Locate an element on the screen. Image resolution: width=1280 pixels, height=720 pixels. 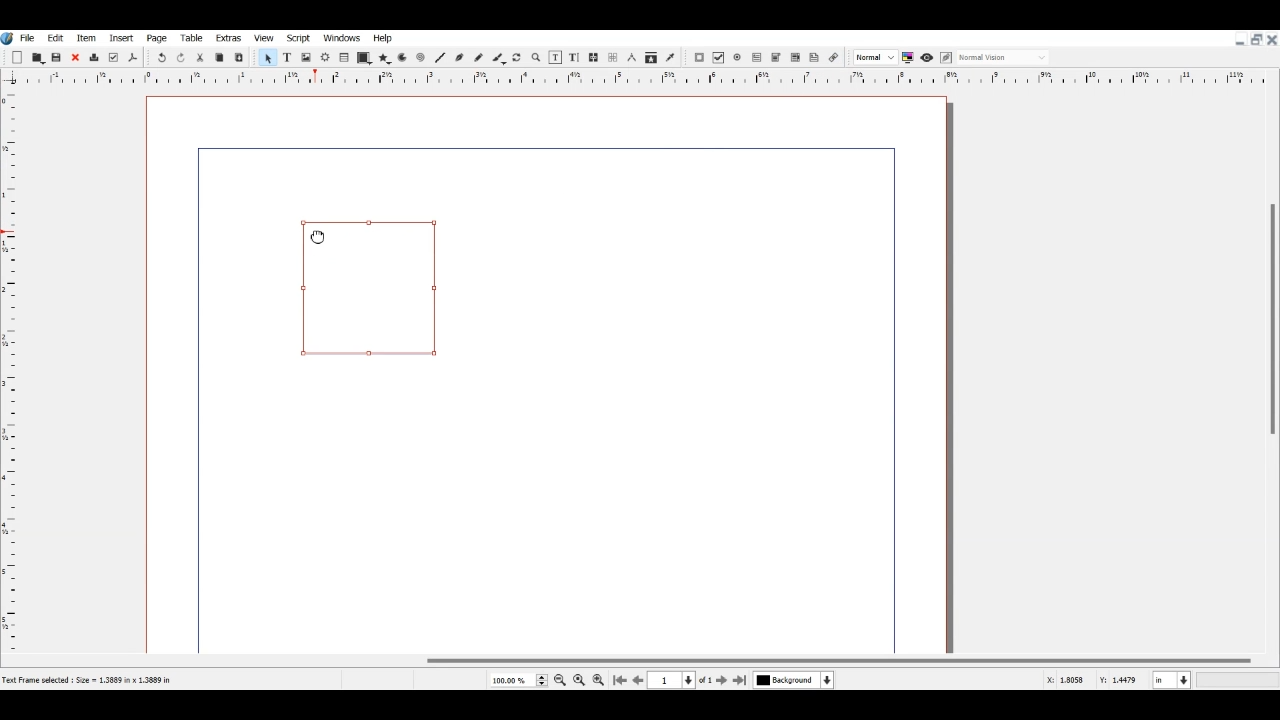
Toggle color management system is located at coordinates (909, 57).